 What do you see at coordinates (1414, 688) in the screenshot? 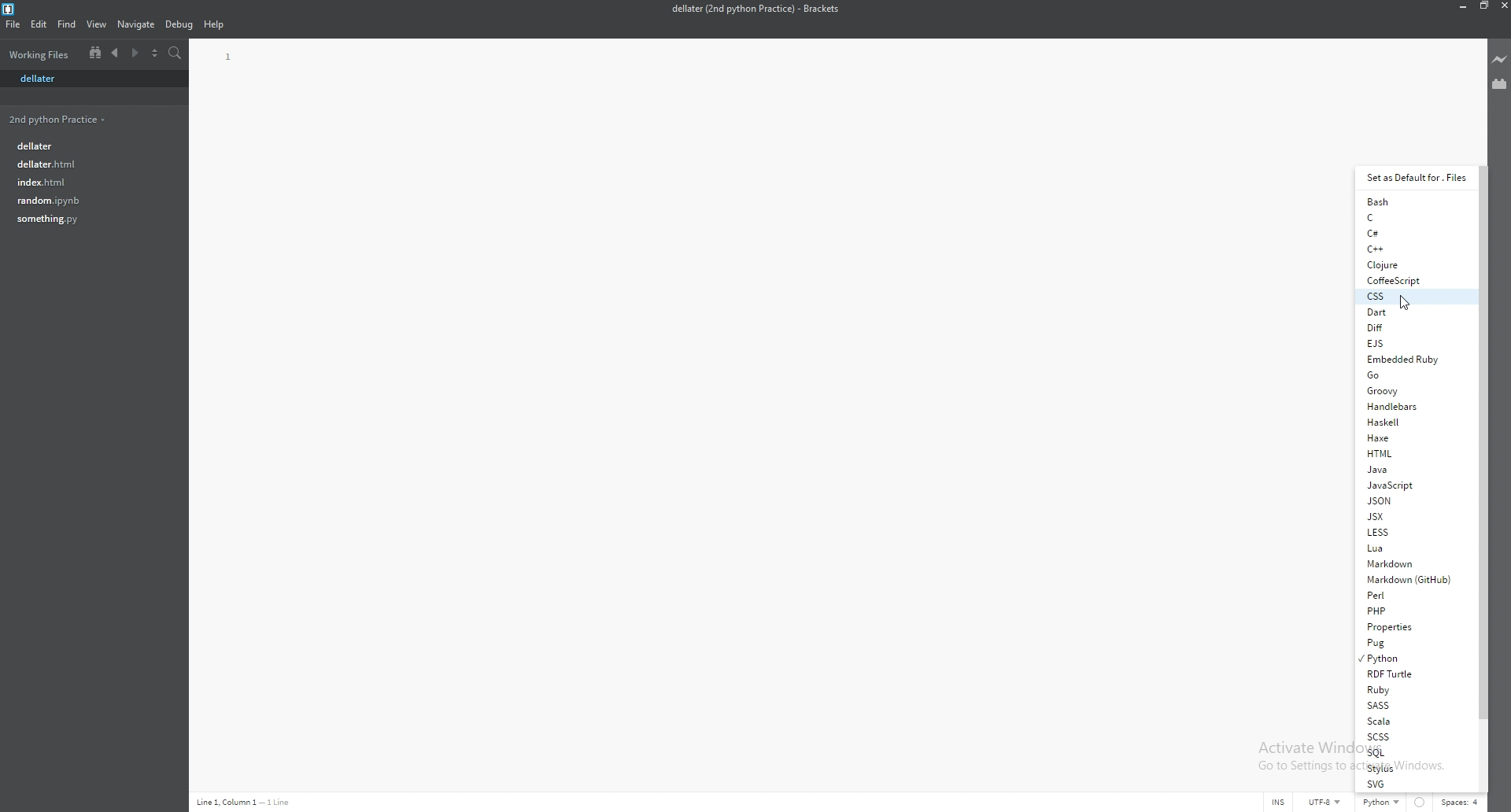
I see `ruby` at bounding box center [1414, 688].